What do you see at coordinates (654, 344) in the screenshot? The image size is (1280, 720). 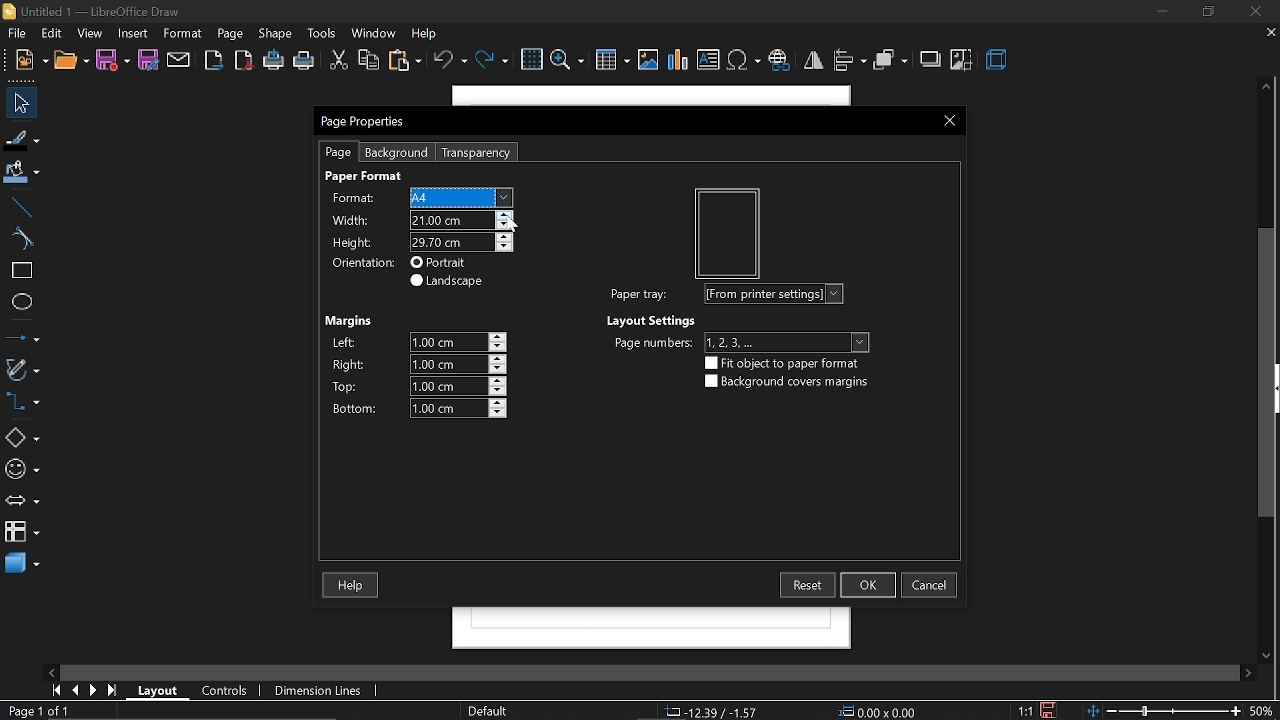 I see `page number` at bounding box center [654, 344].